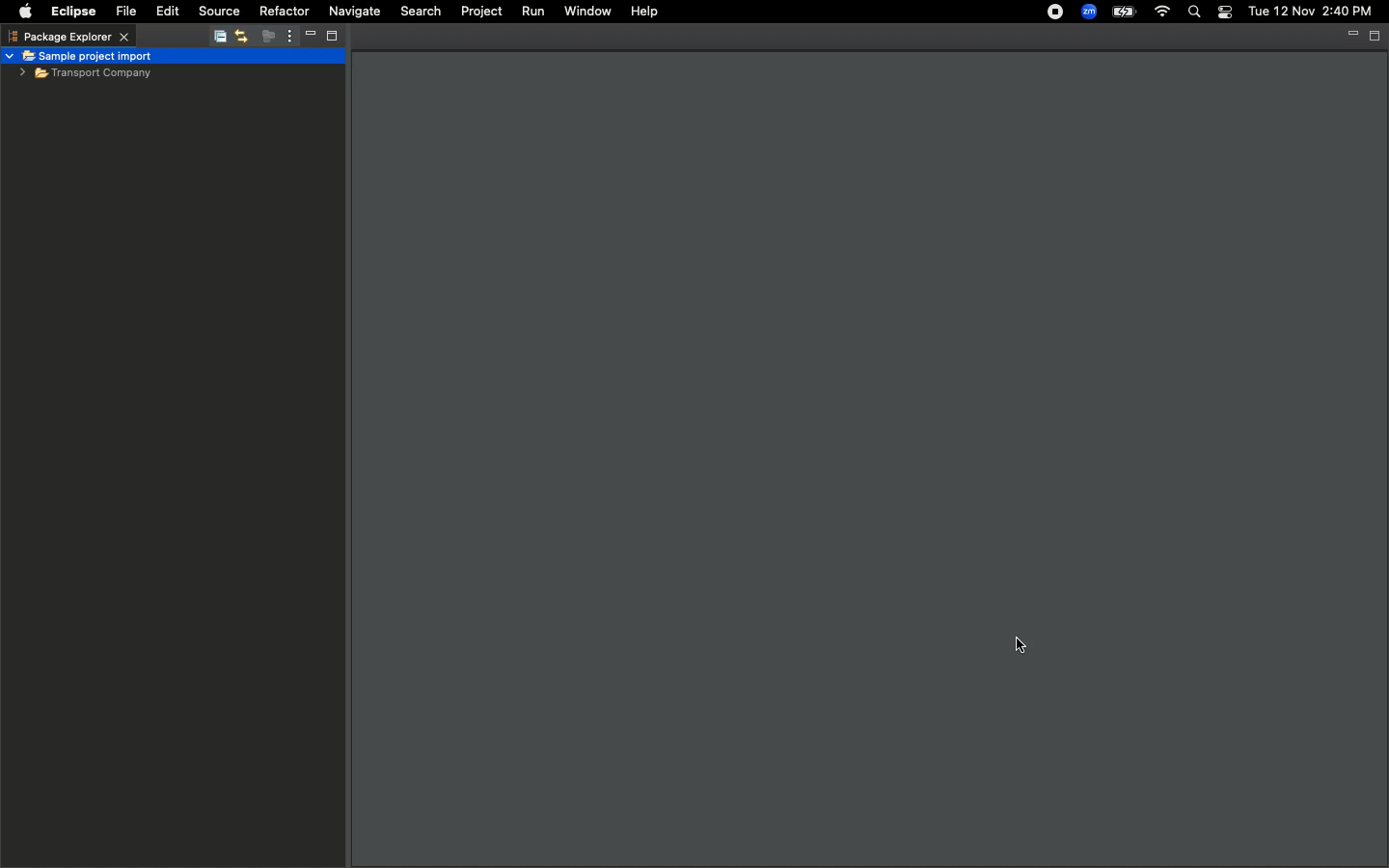 Image resolution: width=1389 pixels, height=868 pixels. I want to click on Project, so click(480, 13).